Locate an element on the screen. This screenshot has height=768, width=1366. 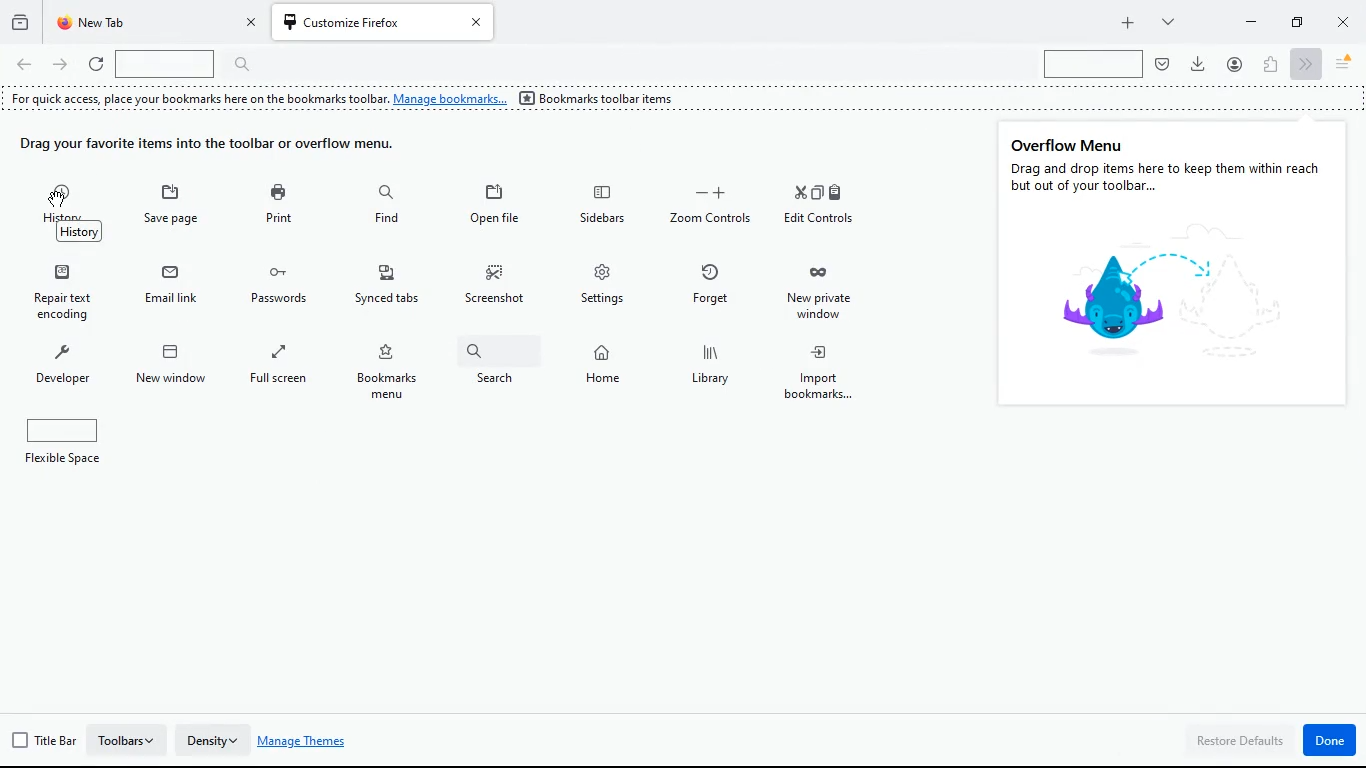
overflow menu is located at coordinates (1070, 143).